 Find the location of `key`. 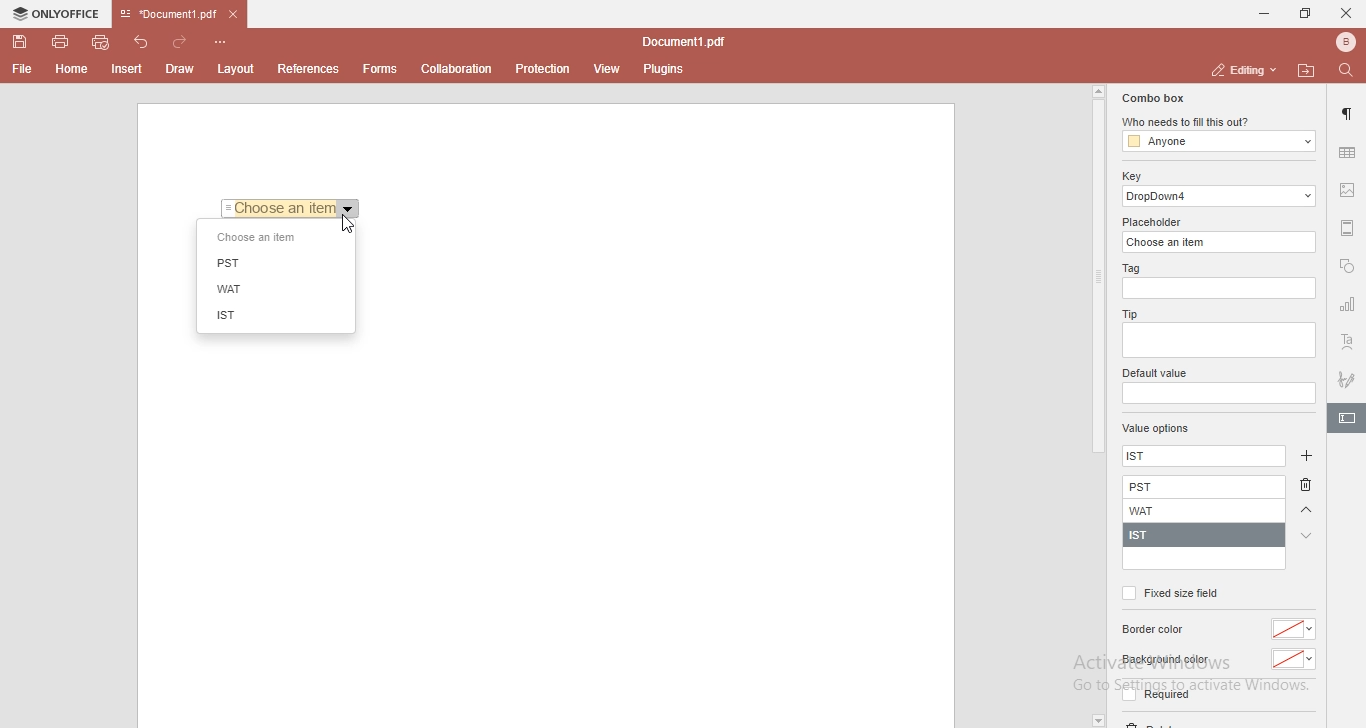

key is located at coordinates (1131, 176).